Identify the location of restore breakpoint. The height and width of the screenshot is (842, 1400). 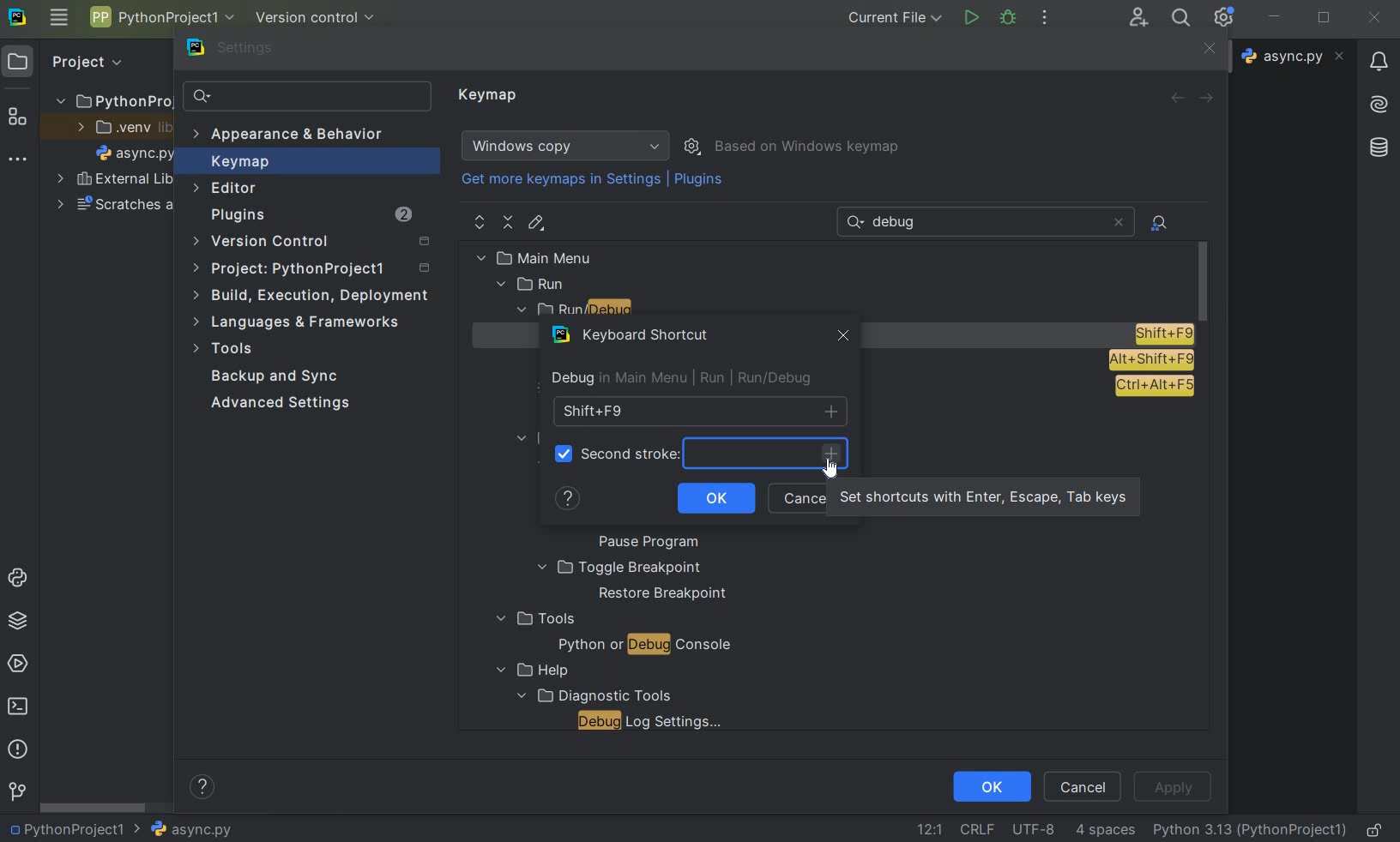
(664, 594).